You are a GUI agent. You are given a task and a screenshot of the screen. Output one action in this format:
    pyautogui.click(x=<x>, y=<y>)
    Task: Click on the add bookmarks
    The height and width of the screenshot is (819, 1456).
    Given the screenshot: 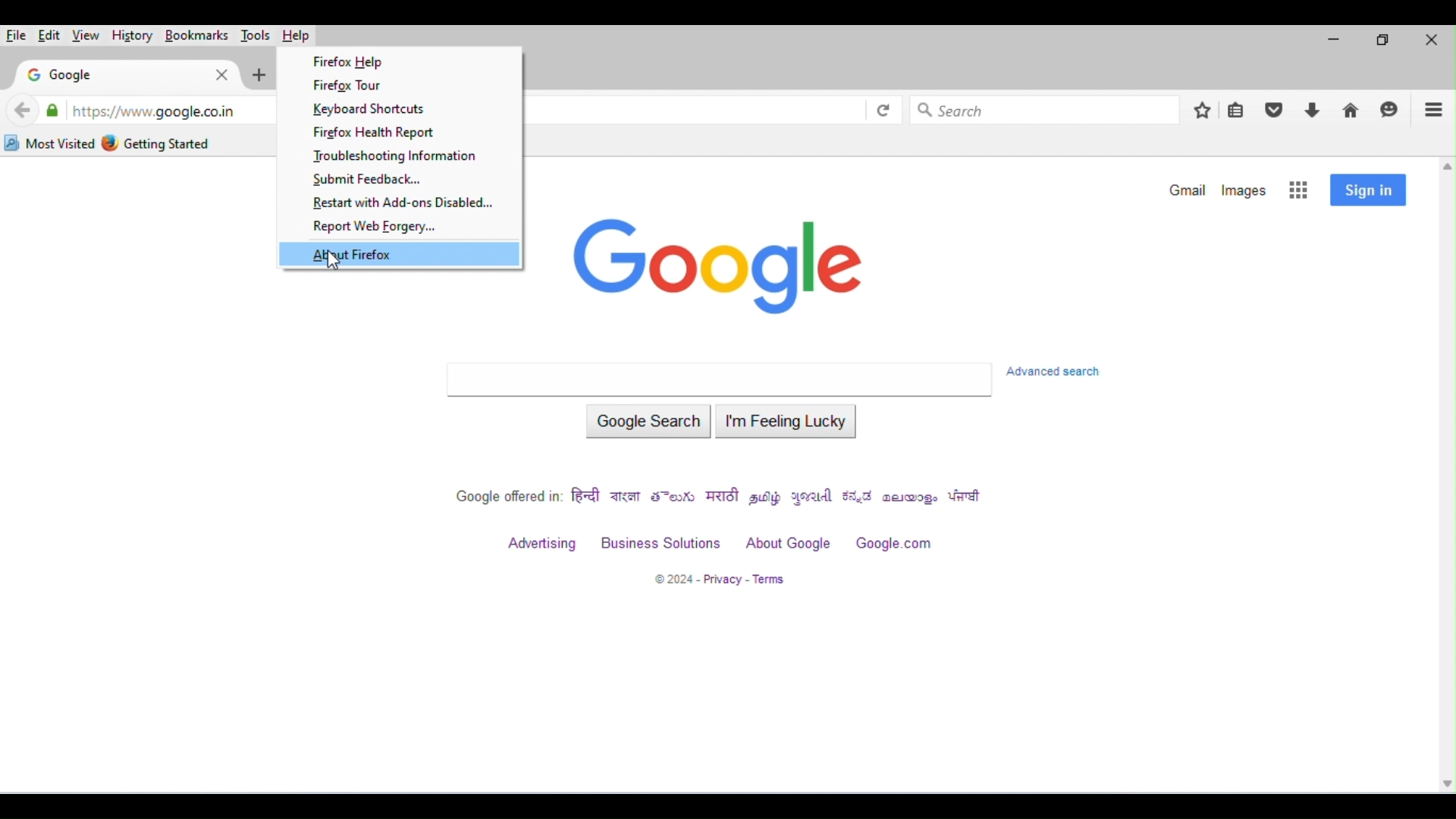 What is the action you would take?
    pyautogui.click(x=1202, y=109)
    